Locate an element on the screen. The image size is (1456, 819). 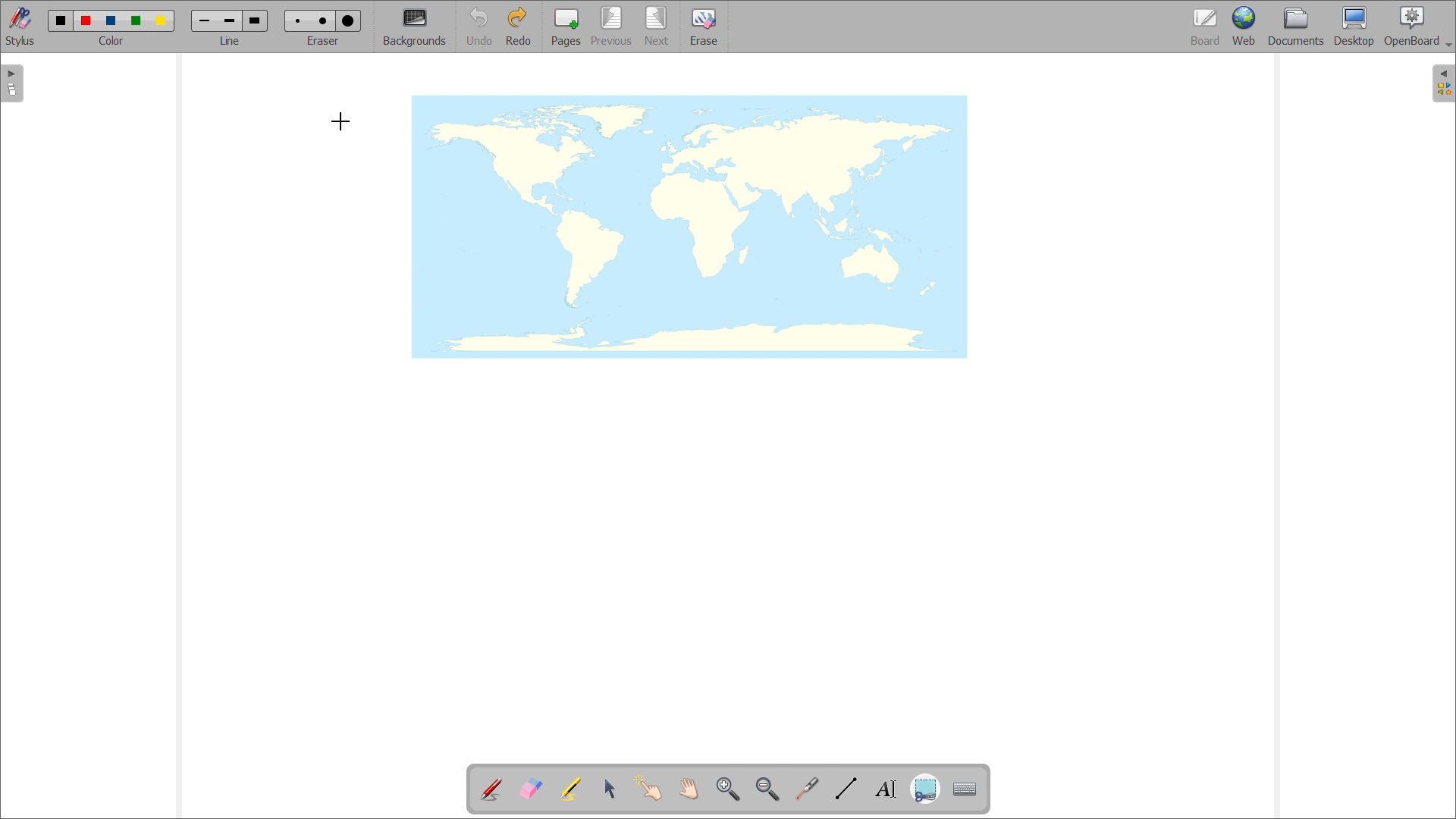
red is located at coordinates (86, 20).